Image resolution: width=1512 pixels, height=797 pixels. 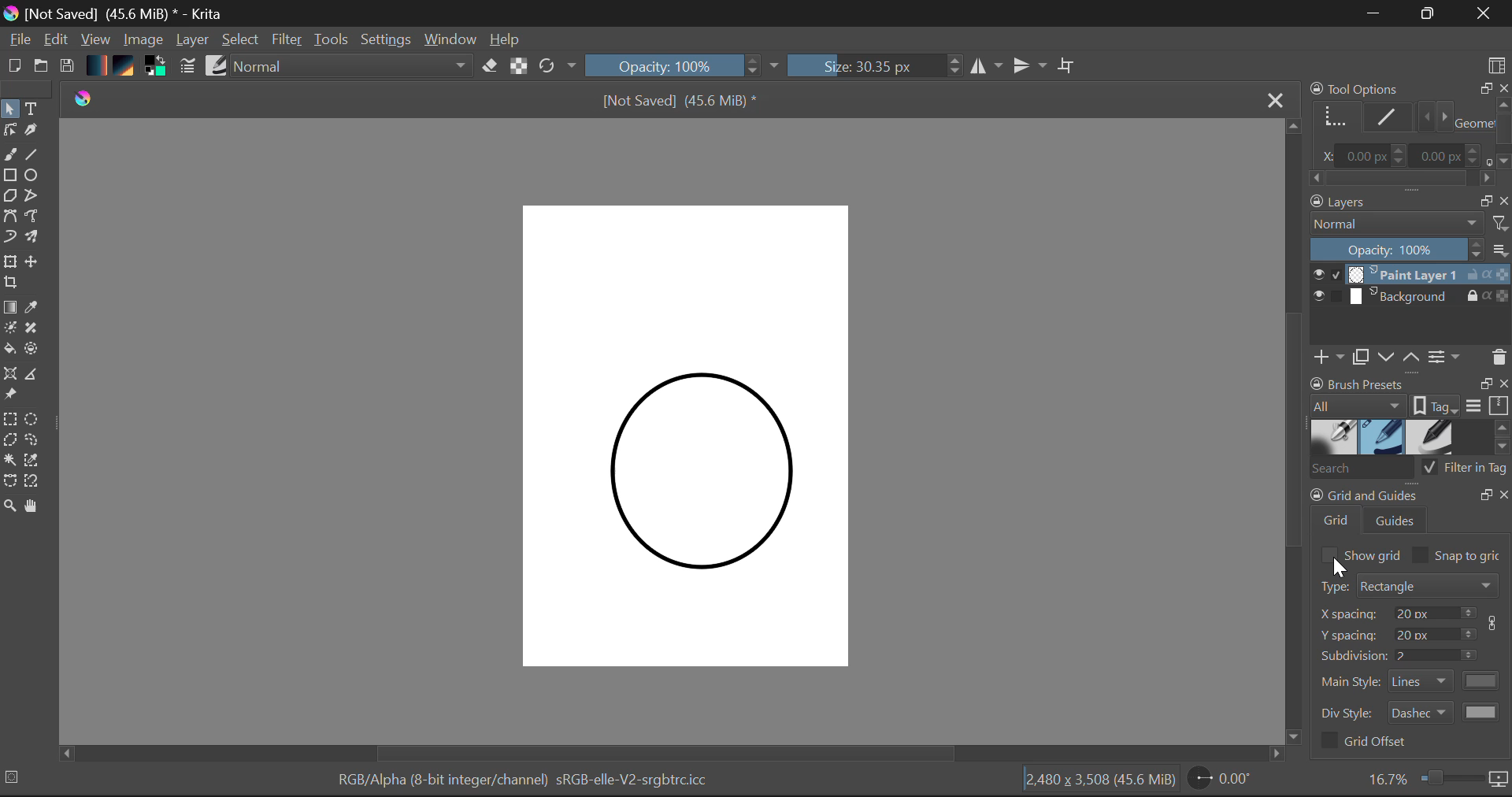 What do you see at coordinates (9, 262) in the screenshot?
I see `Transform Layer` at bounding box center [9, 262].